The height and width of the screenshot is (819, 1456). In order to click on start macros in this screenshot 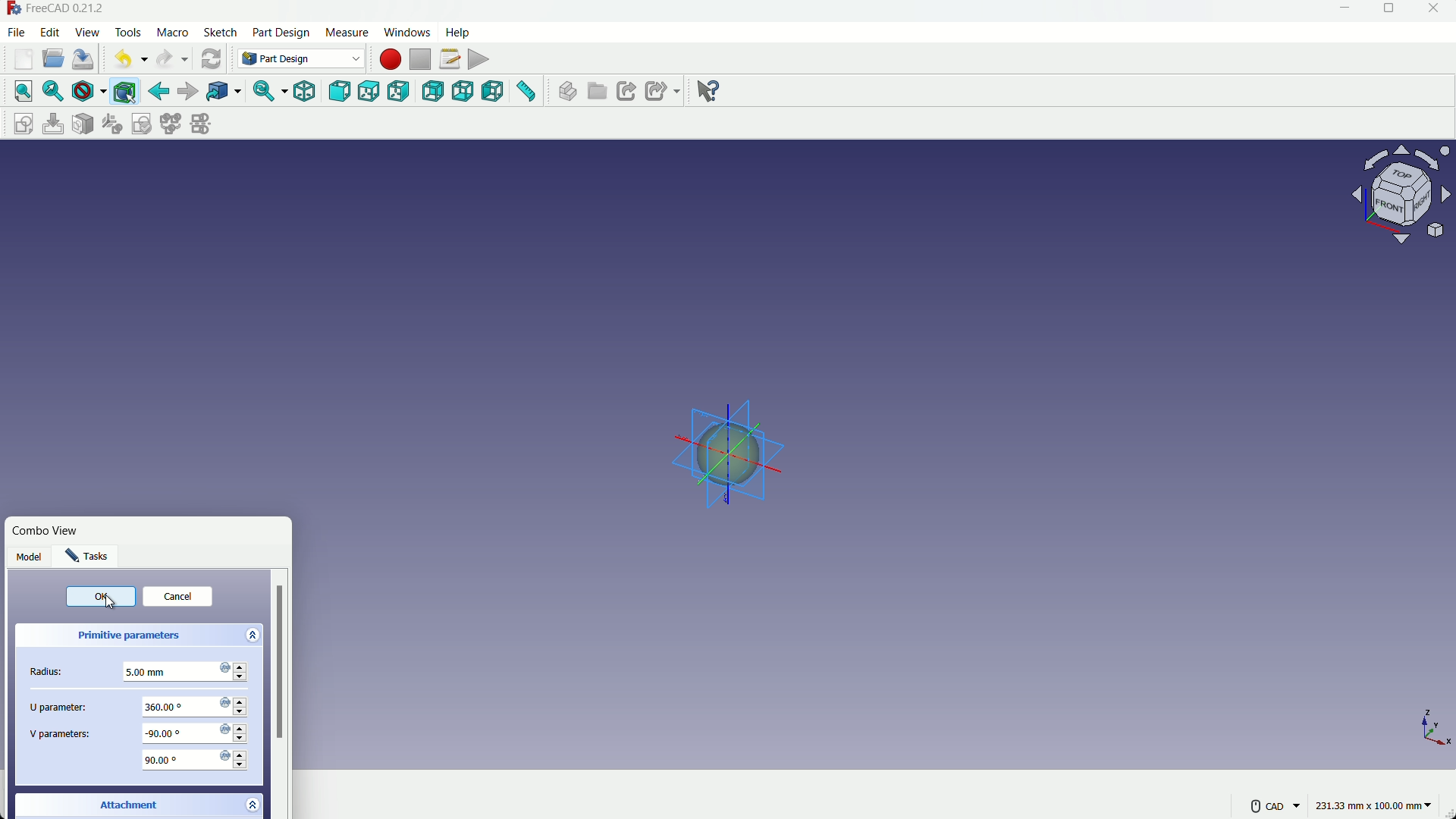, I will do `click(391, 60)`.